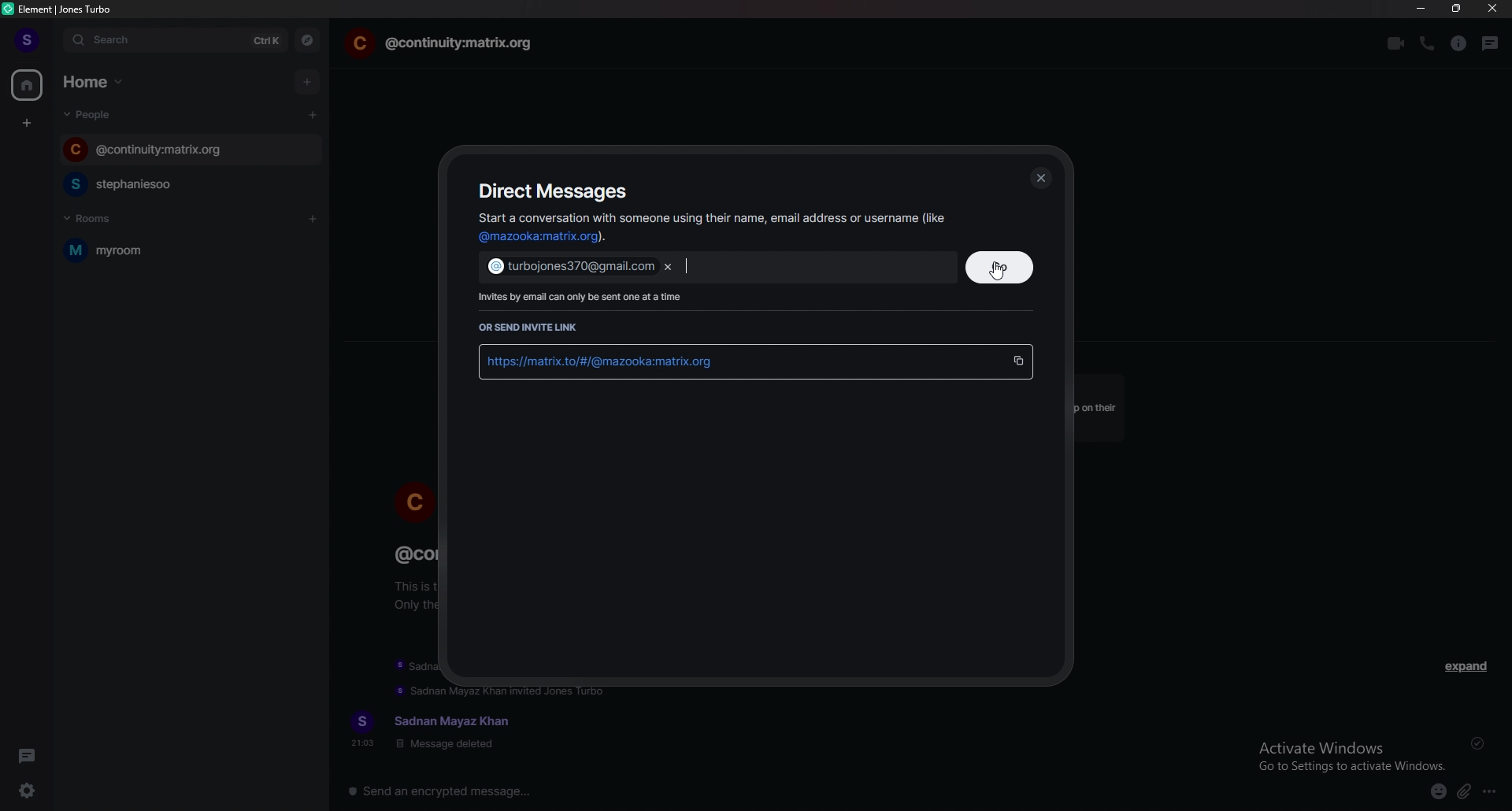 Image resolution: width=1512 pixels, height=811 pixels. Describe the element at coordinates (1491, 793) in the screenshot. I see `more options` at that location.